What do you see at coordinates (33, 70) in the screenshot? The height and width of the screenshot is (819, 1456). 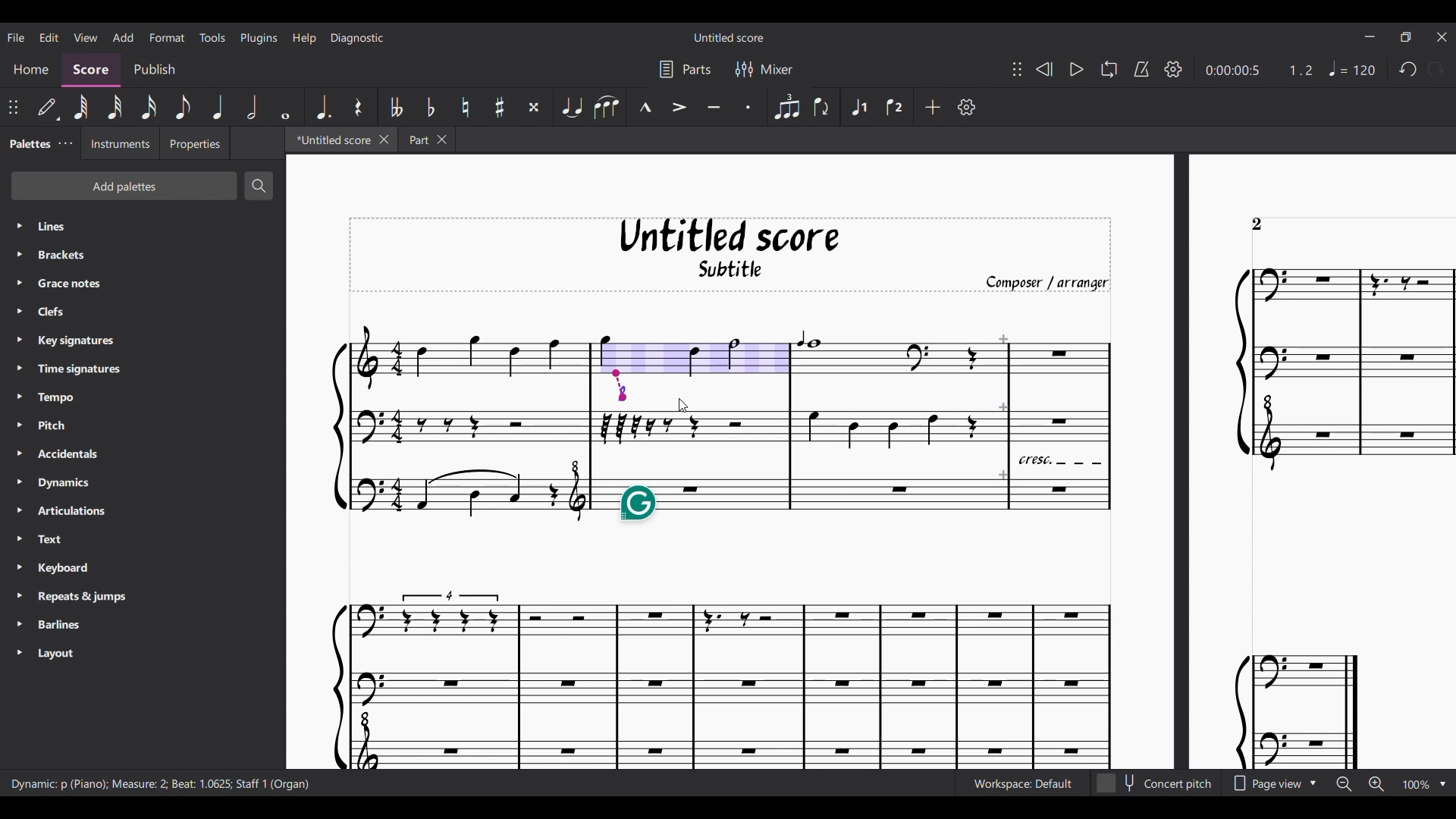 I see `Home section` at bounding box center [33, 70].